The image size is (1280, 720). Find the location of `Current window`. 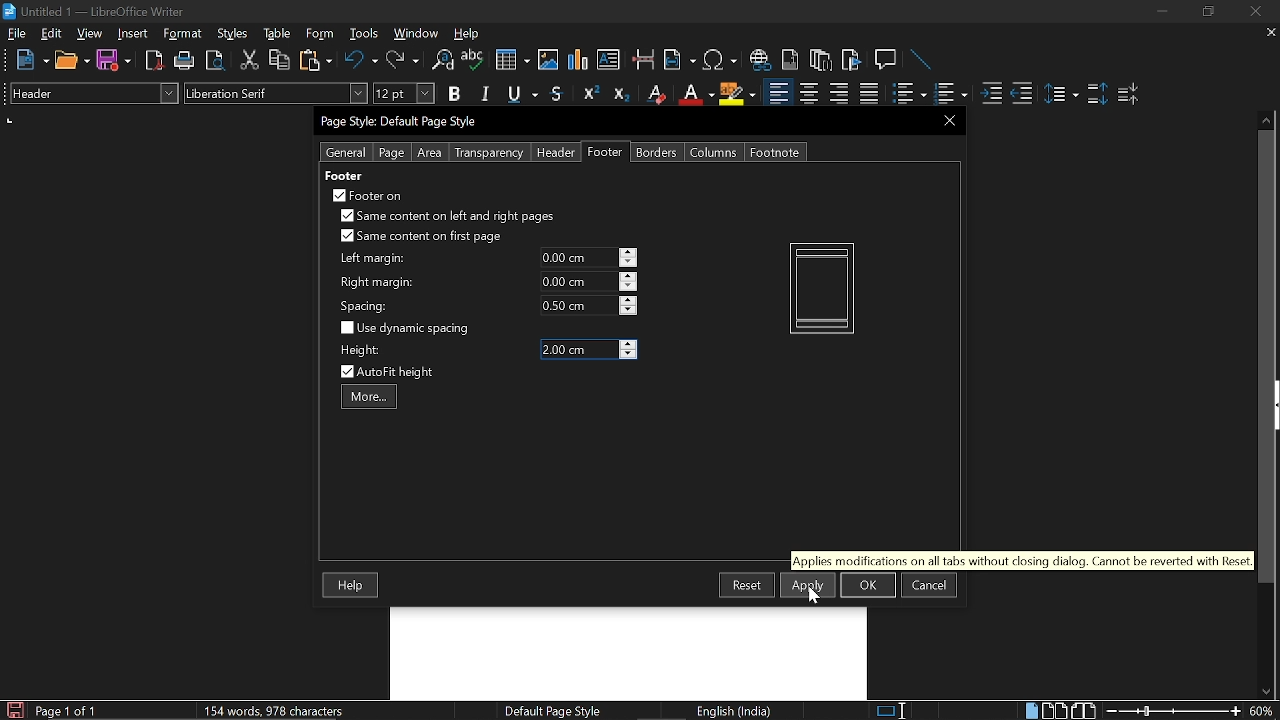

Current window is located at coordinates (402, 122).